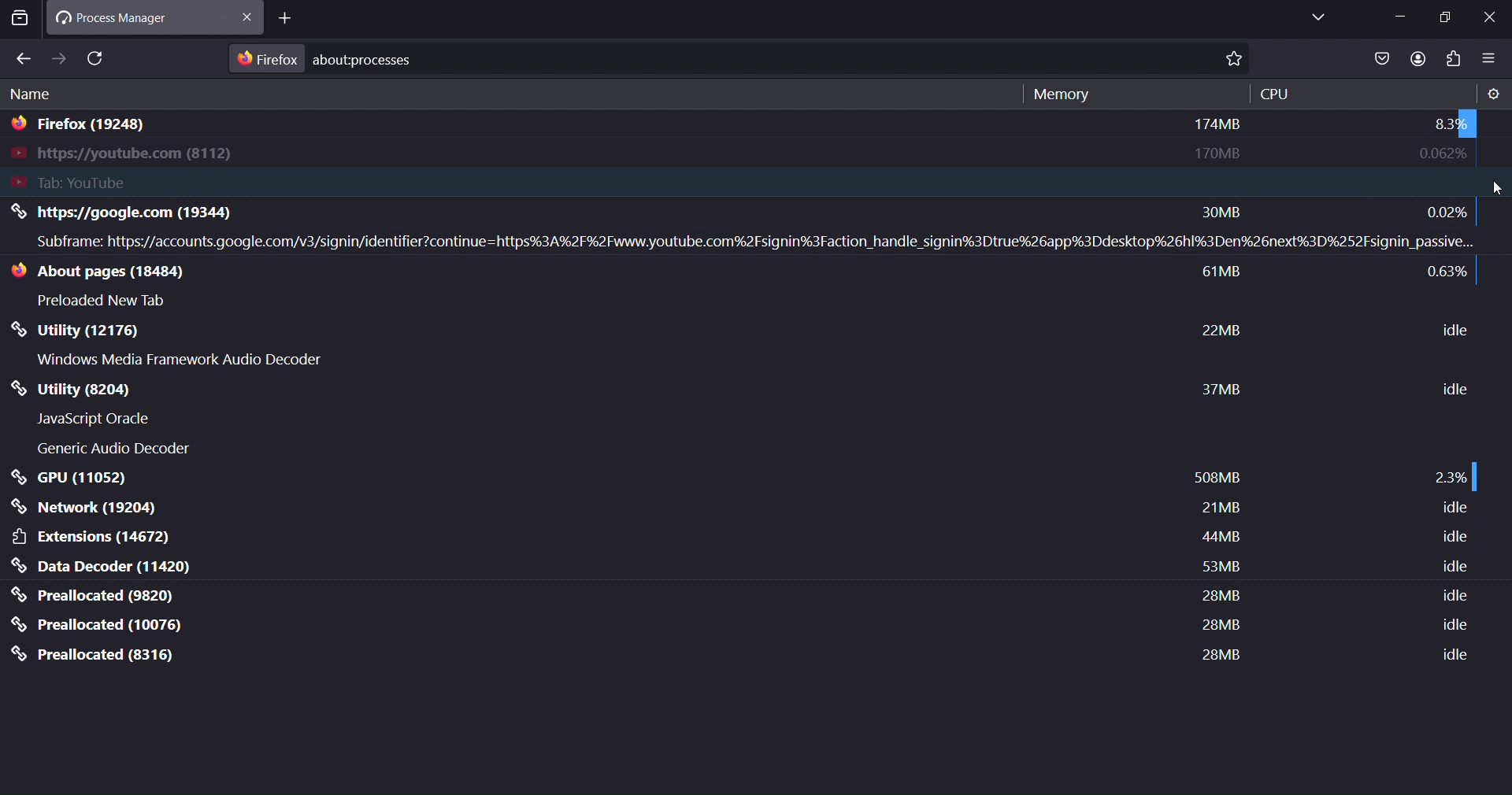  Describe the element at coordinates (112, 272) in the screenshot. I see `about page` at that location.